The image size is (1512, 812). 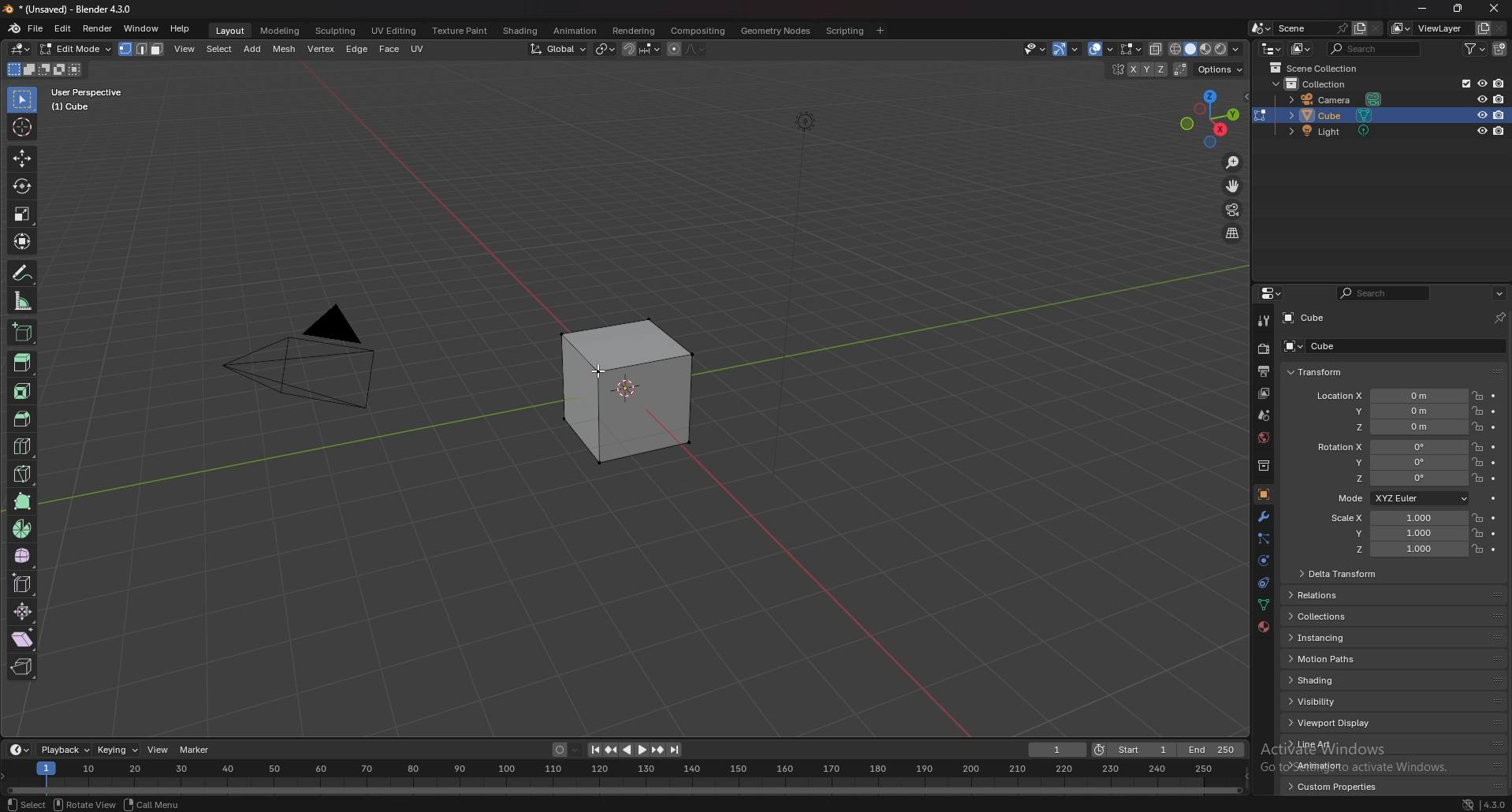 I want to click on animation, so click(x=577, y=31).